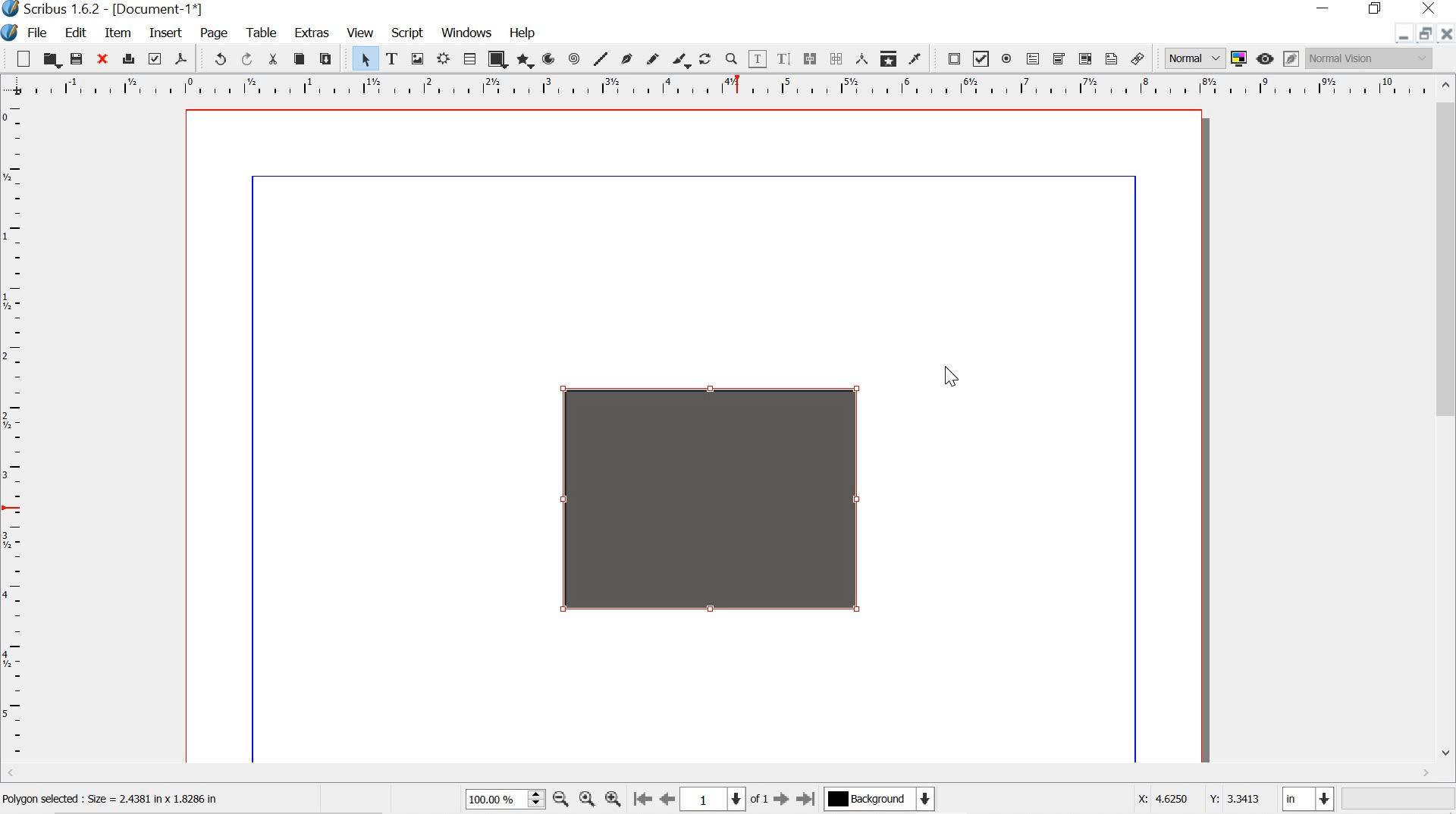  What do you see at coordinates (409, 33) in the screenshot?
I see `script` at bounding box center [409, 33].